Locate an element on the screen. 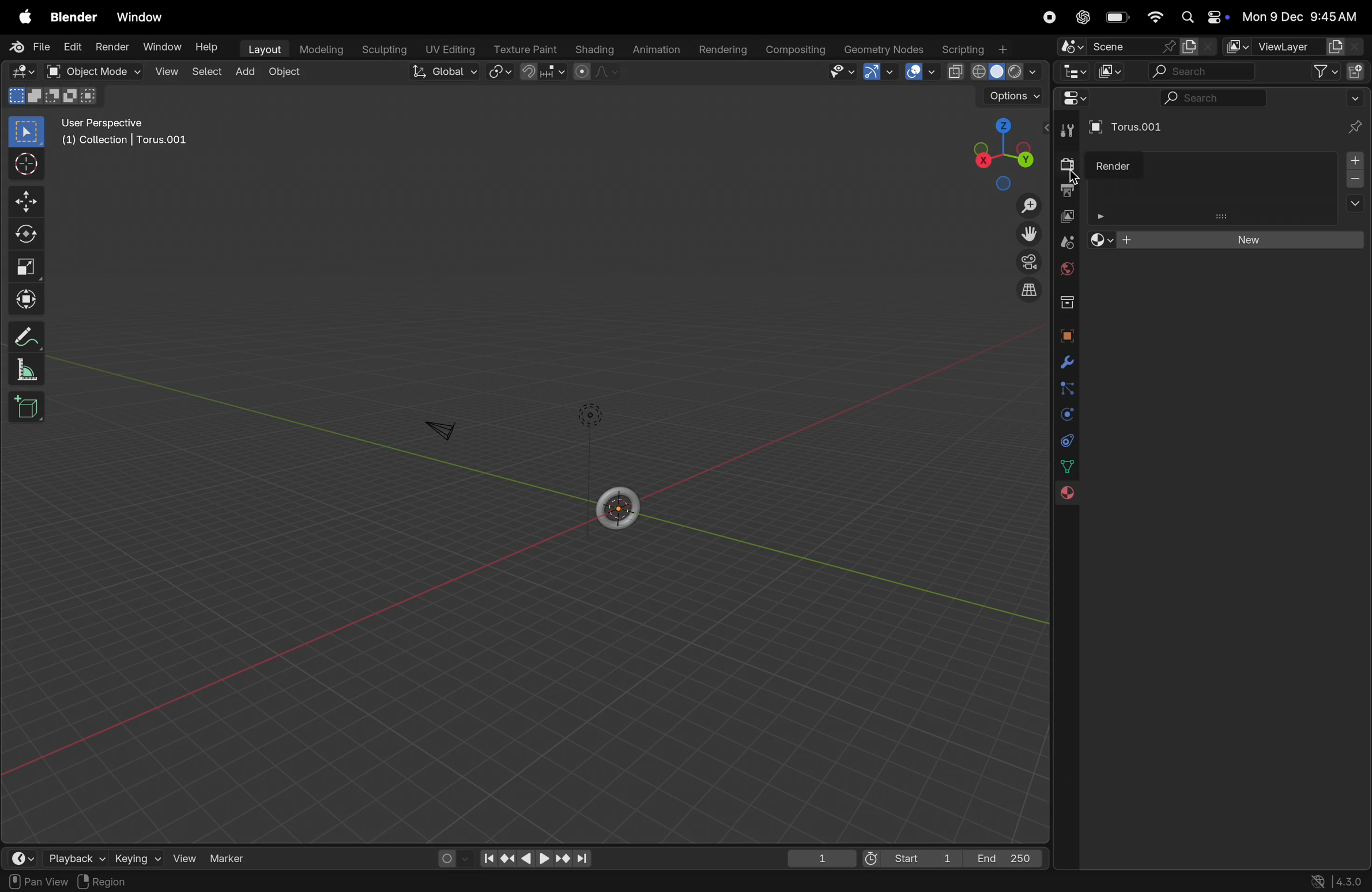  scale is located at coordinates (26, 266).